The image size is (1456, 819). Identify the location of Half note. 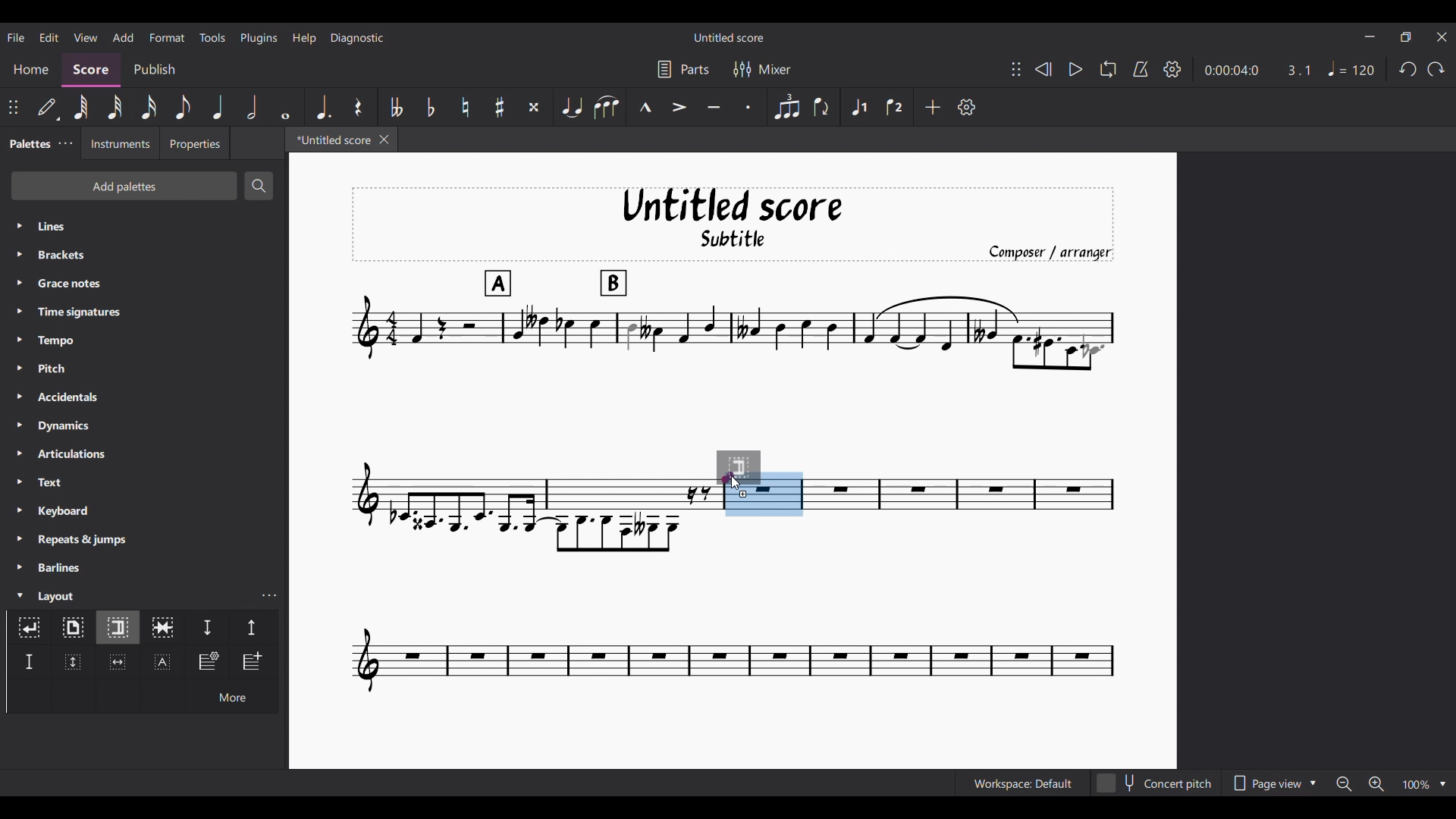
(252, 106).